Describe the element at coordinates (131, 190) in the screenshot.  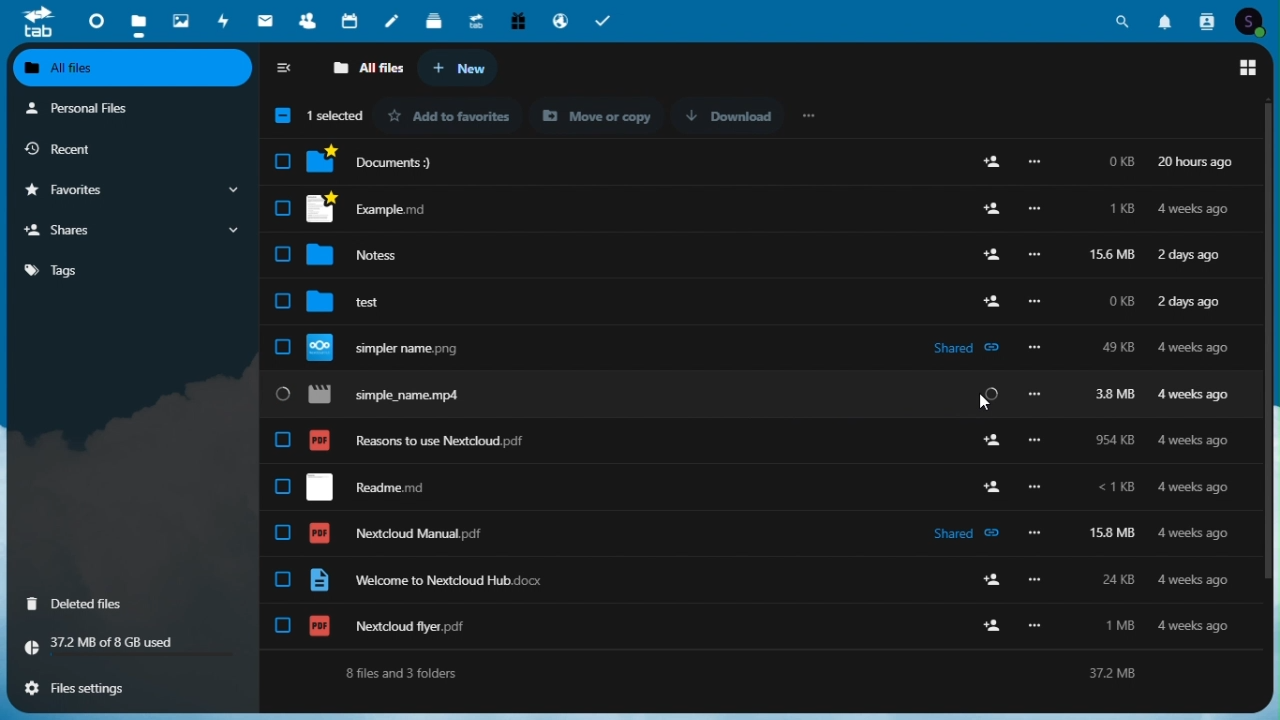
I see `Favourite` at that location.